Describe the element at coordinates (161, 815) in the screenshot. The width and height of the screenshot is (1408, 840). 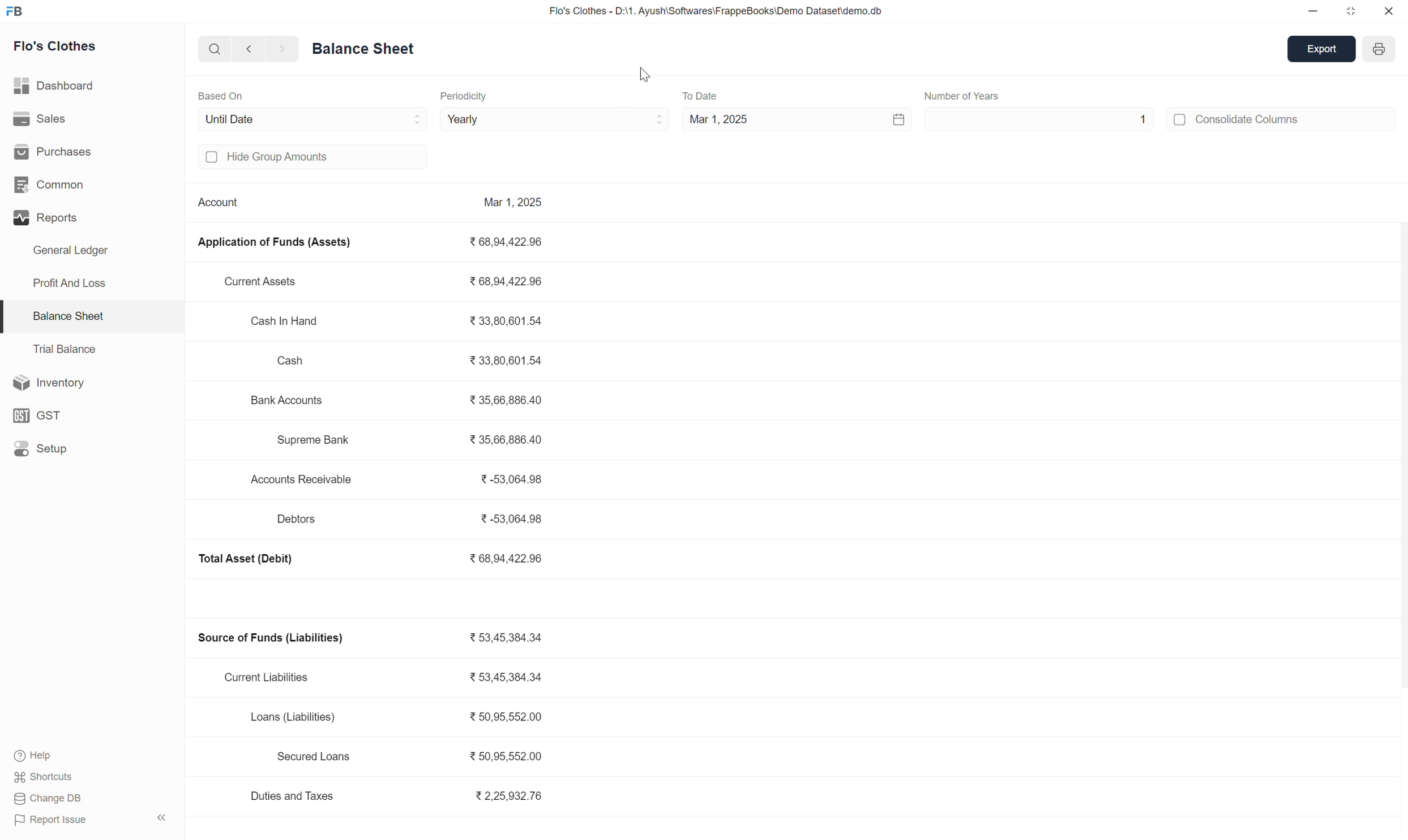
I see `expand` at that location.